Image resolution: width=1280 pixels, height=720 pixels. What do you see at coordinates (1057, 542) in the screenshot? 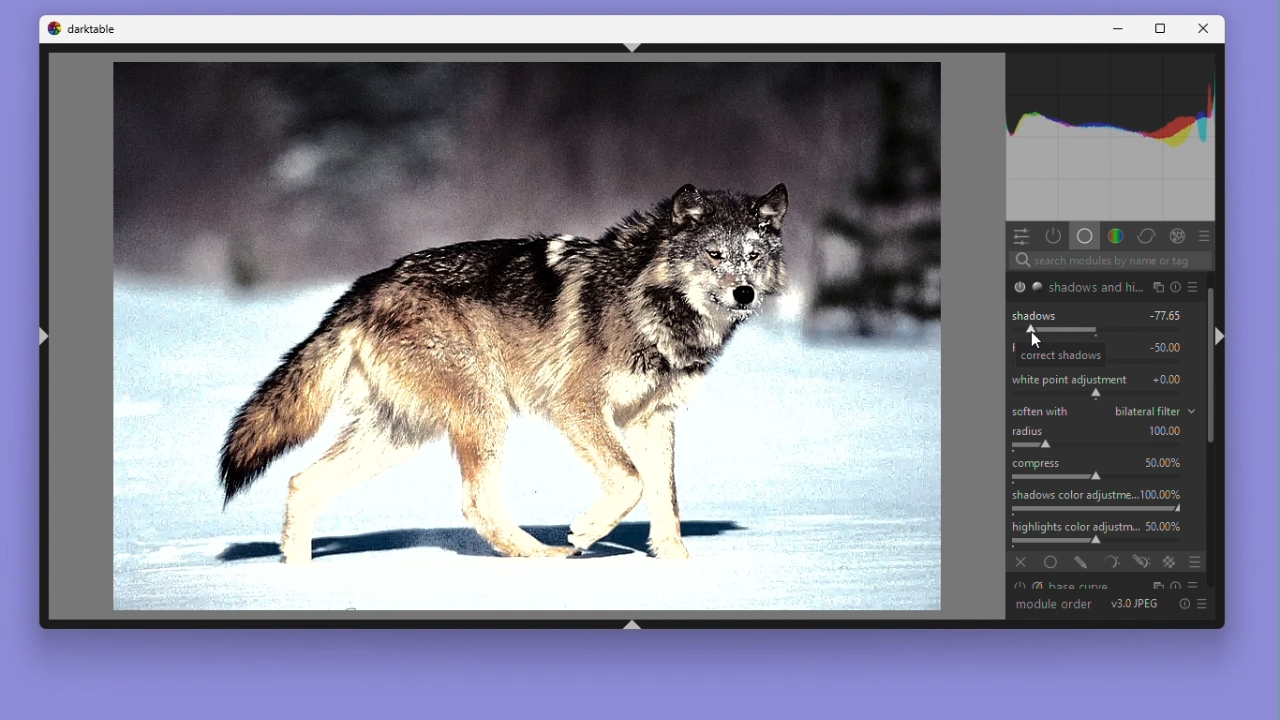
I see `adjust saturation of highlights` at bounding box center [1057, 542].